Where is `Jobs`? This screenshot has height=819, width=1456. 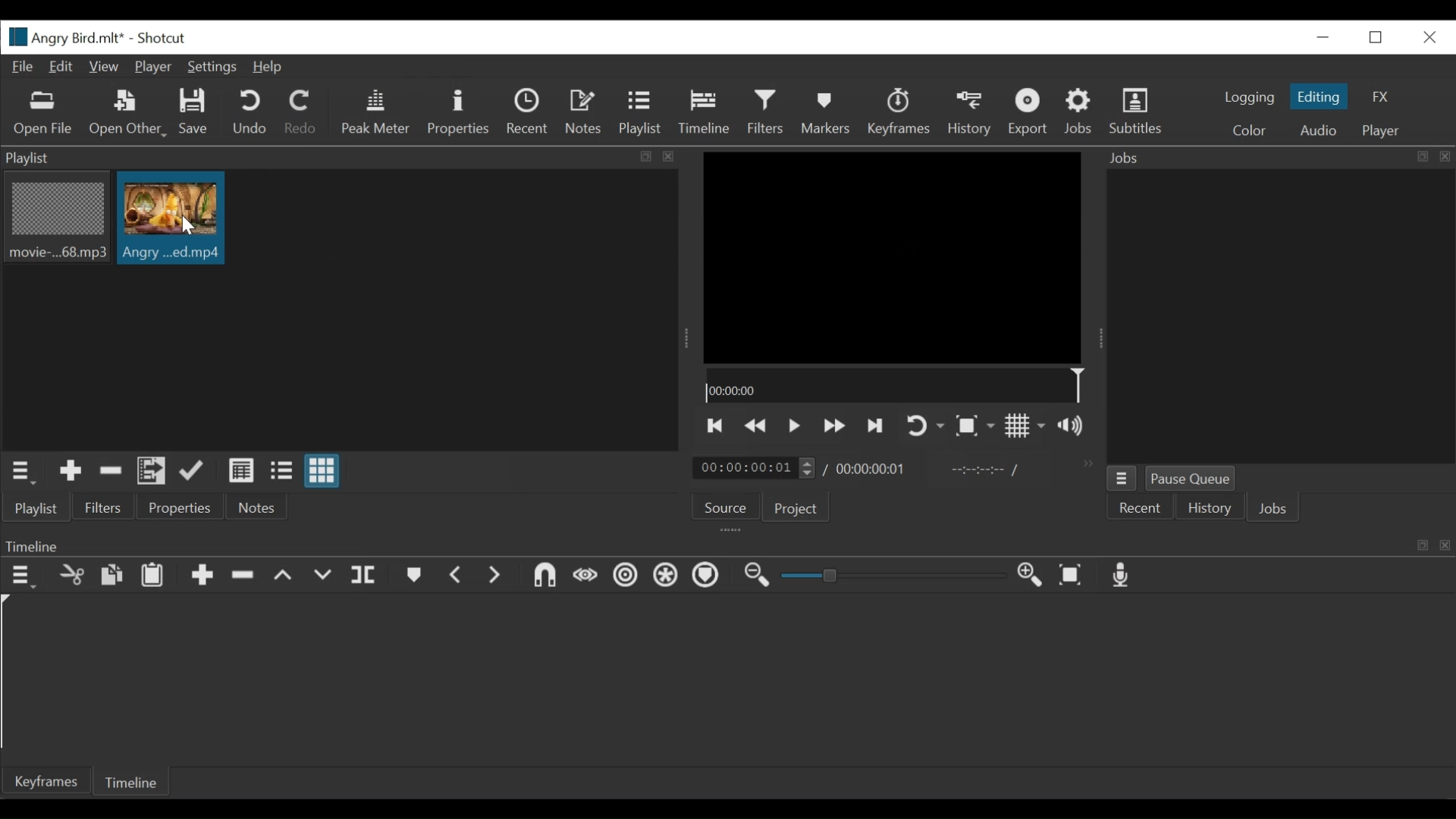 Jobs is located at coordinates (1276, 508).